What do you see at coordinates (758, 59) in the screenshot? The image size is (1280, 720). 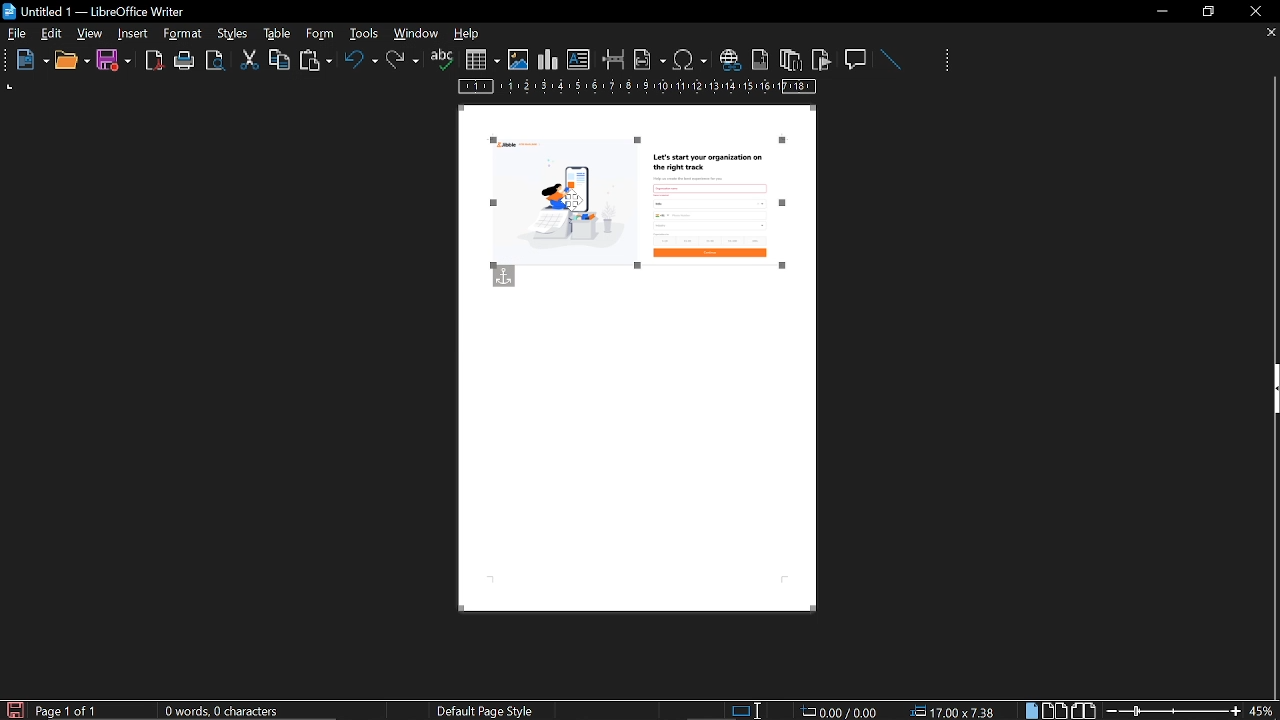 I see `insert footnote` at bounding box center [758, 59].